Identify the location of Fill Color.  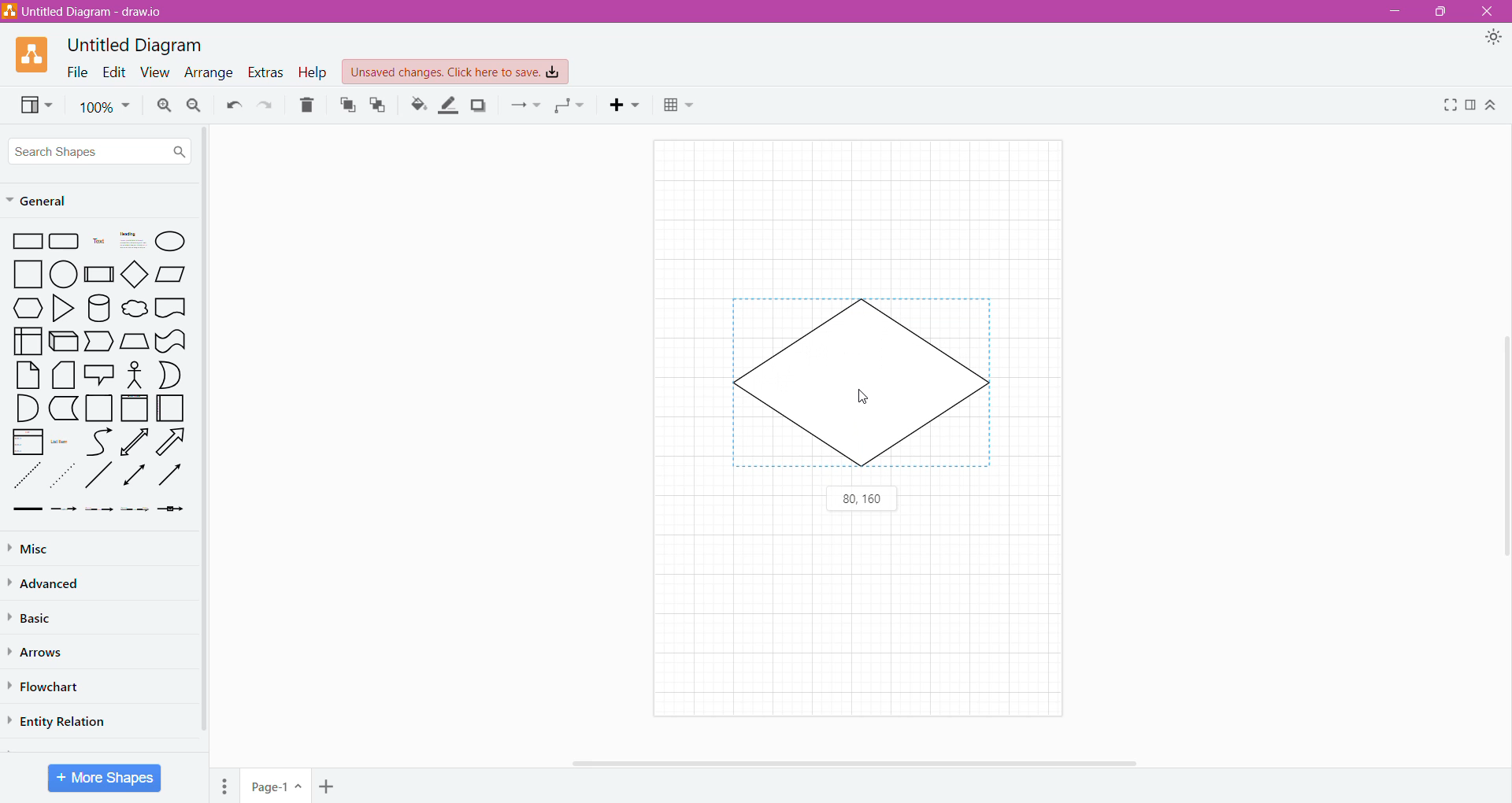
(418, 105).